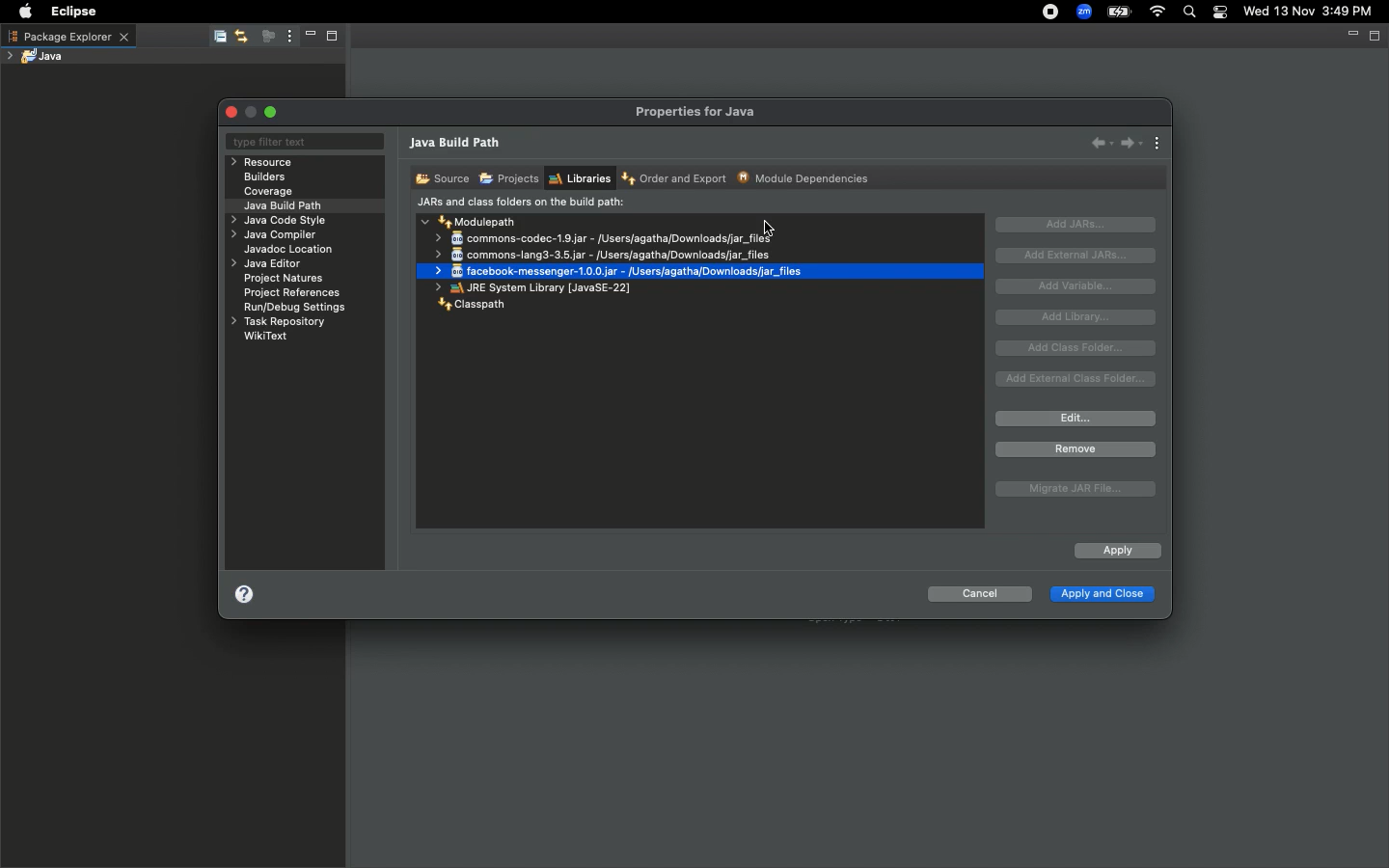 This screenshot has height=868, width=1389. What do you see at coordinates (68, 36) in the screenshot?
I see `Package explorer` at bounding box center [68, 36].